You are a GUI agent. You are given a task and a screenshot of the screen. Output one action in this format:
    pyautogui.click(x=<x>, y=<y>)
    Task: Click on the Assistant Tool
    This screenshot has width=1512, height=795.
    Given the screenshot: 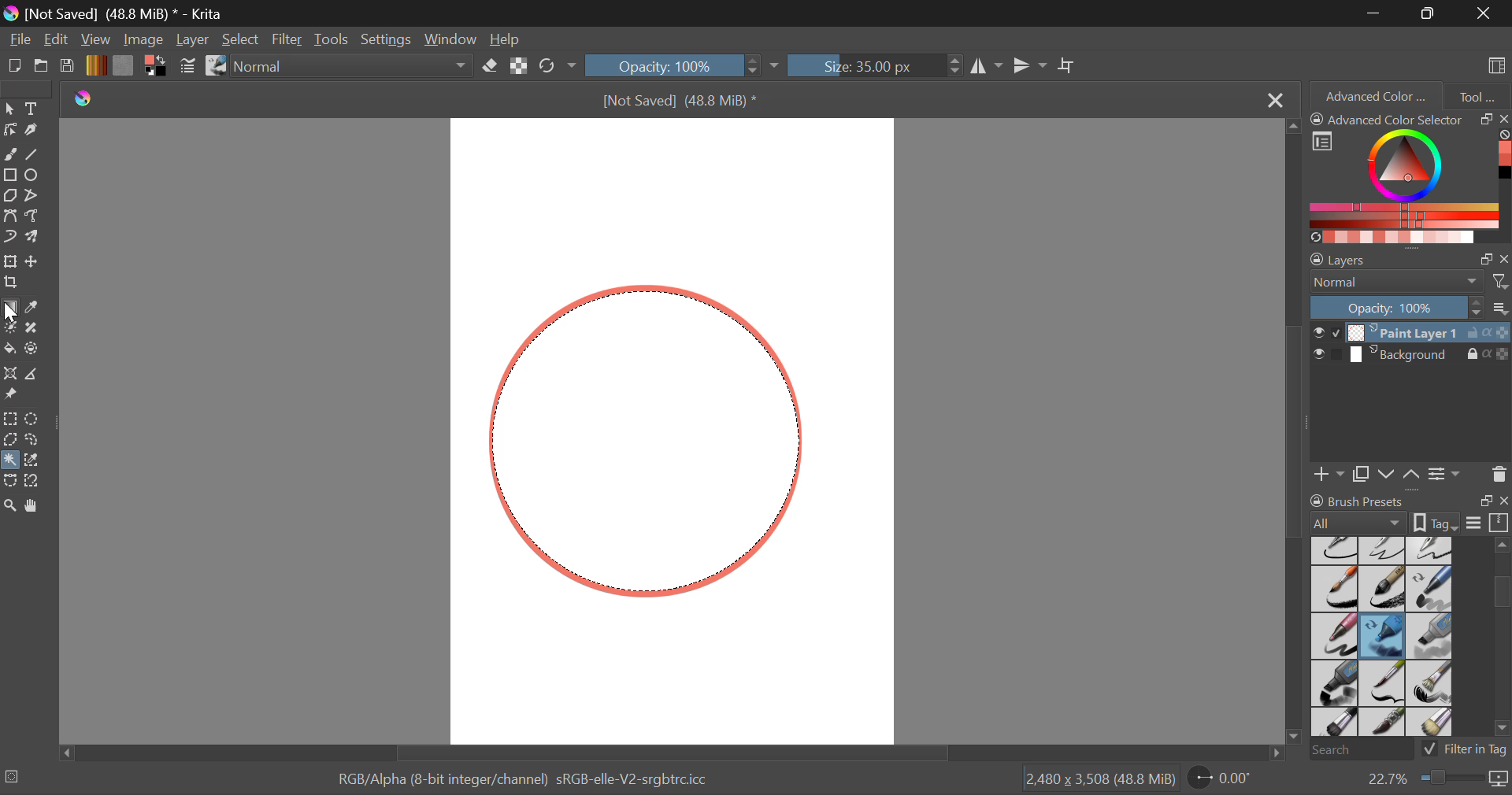 What is the action you would take?
    pyautogui.click(x=11, y=375)
    